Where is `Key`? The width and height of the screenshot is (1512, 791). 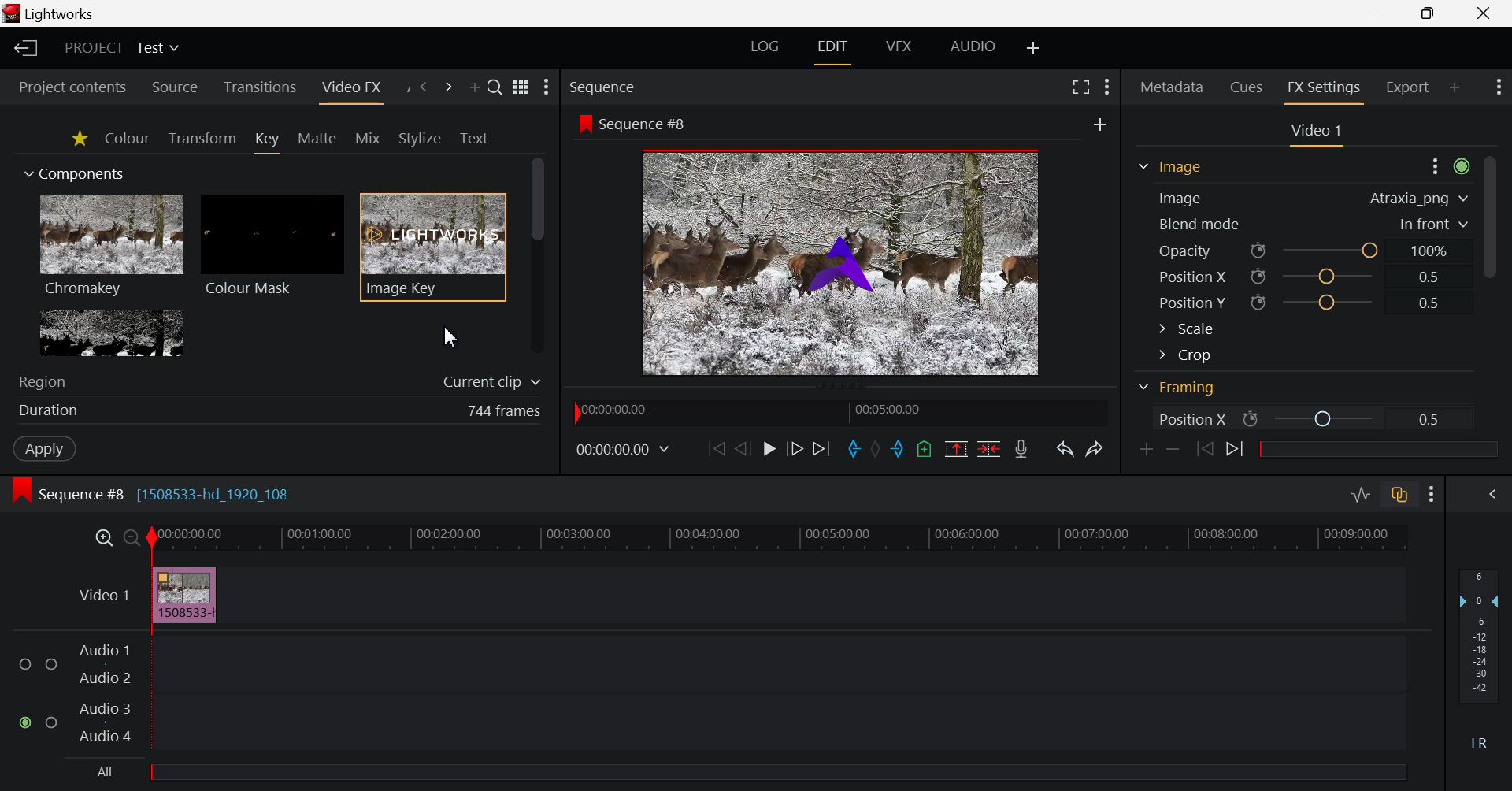
Key is located at coordinates (268, 143).